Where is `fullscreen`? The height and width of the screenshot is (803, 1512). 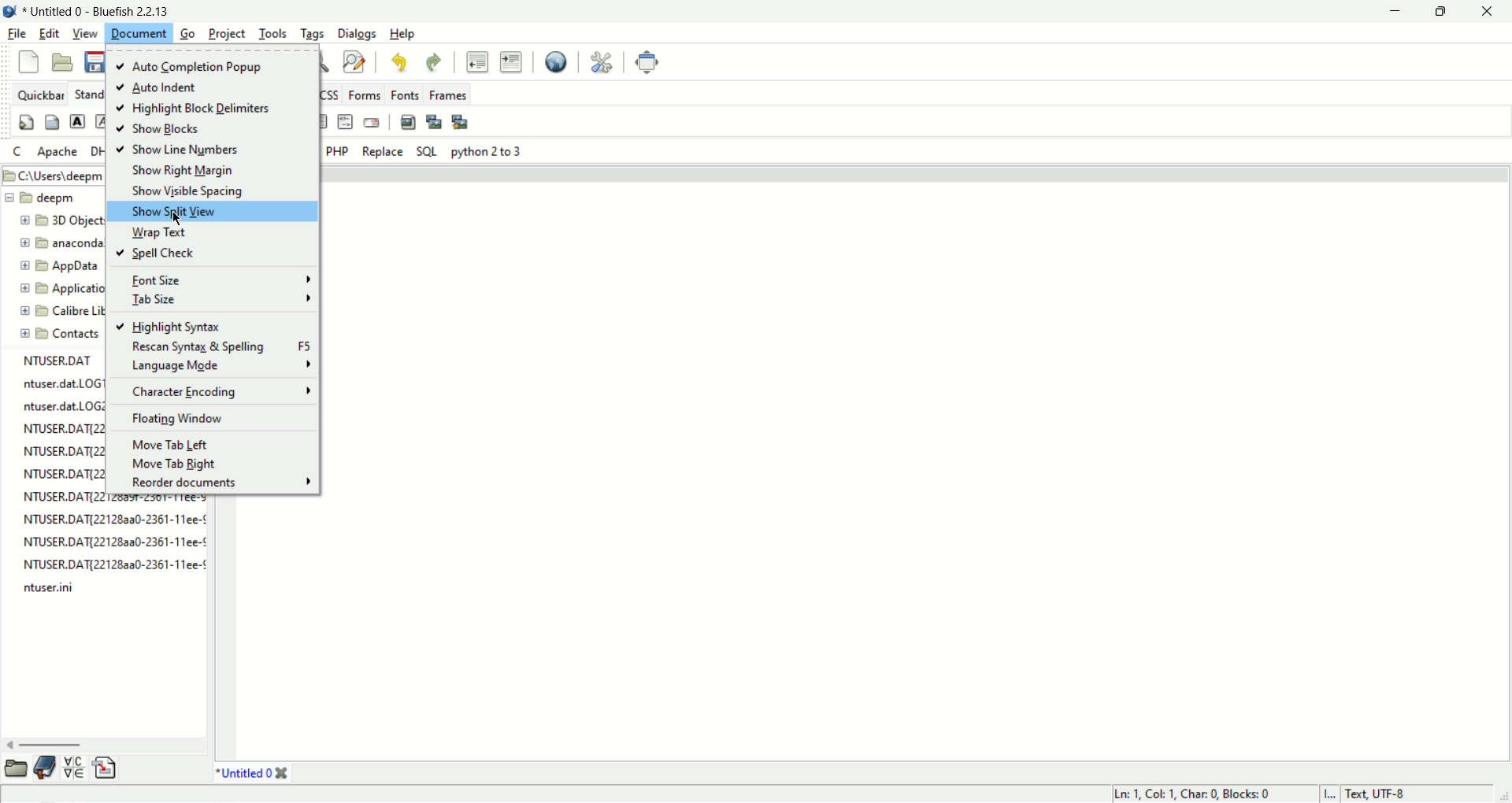 fullscreen is located at coordinates (647, 62).